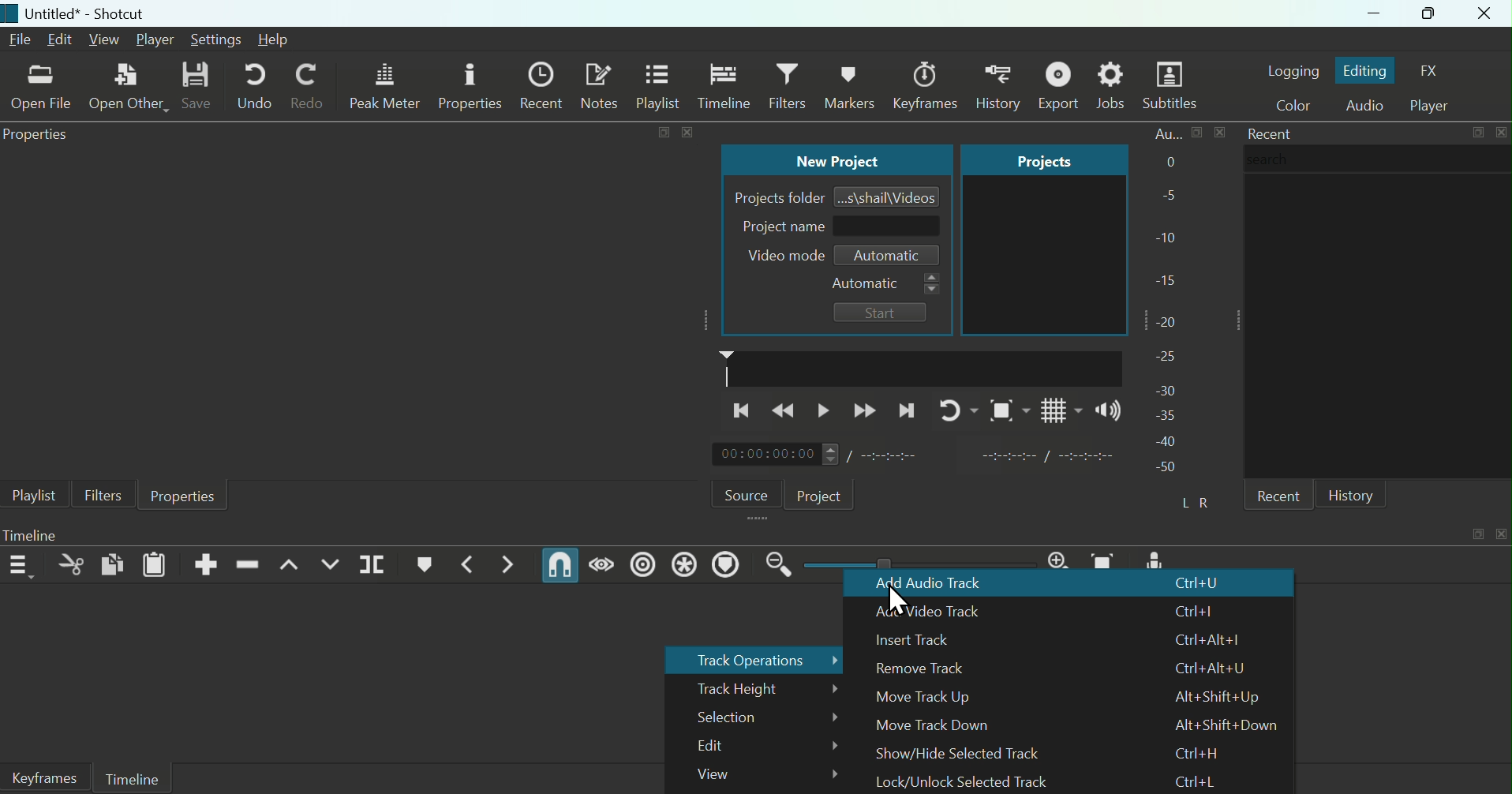 This screenshot has height=794, width=1512. I want to click on Audio, so click(1364, 107).